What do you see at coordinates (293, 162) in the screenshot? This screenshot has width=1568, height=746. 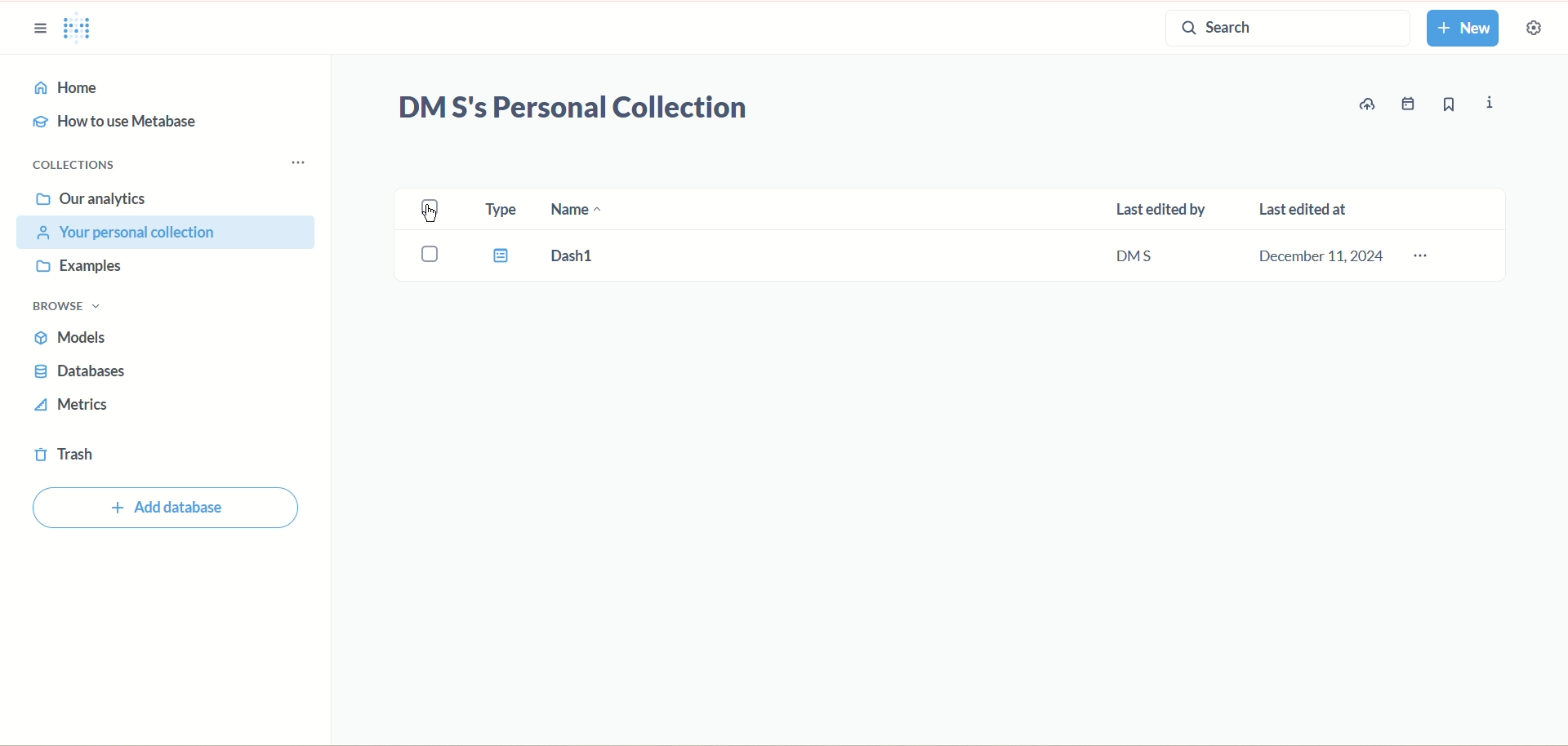 I see `Collections menu` at bounding box center [293, 162].